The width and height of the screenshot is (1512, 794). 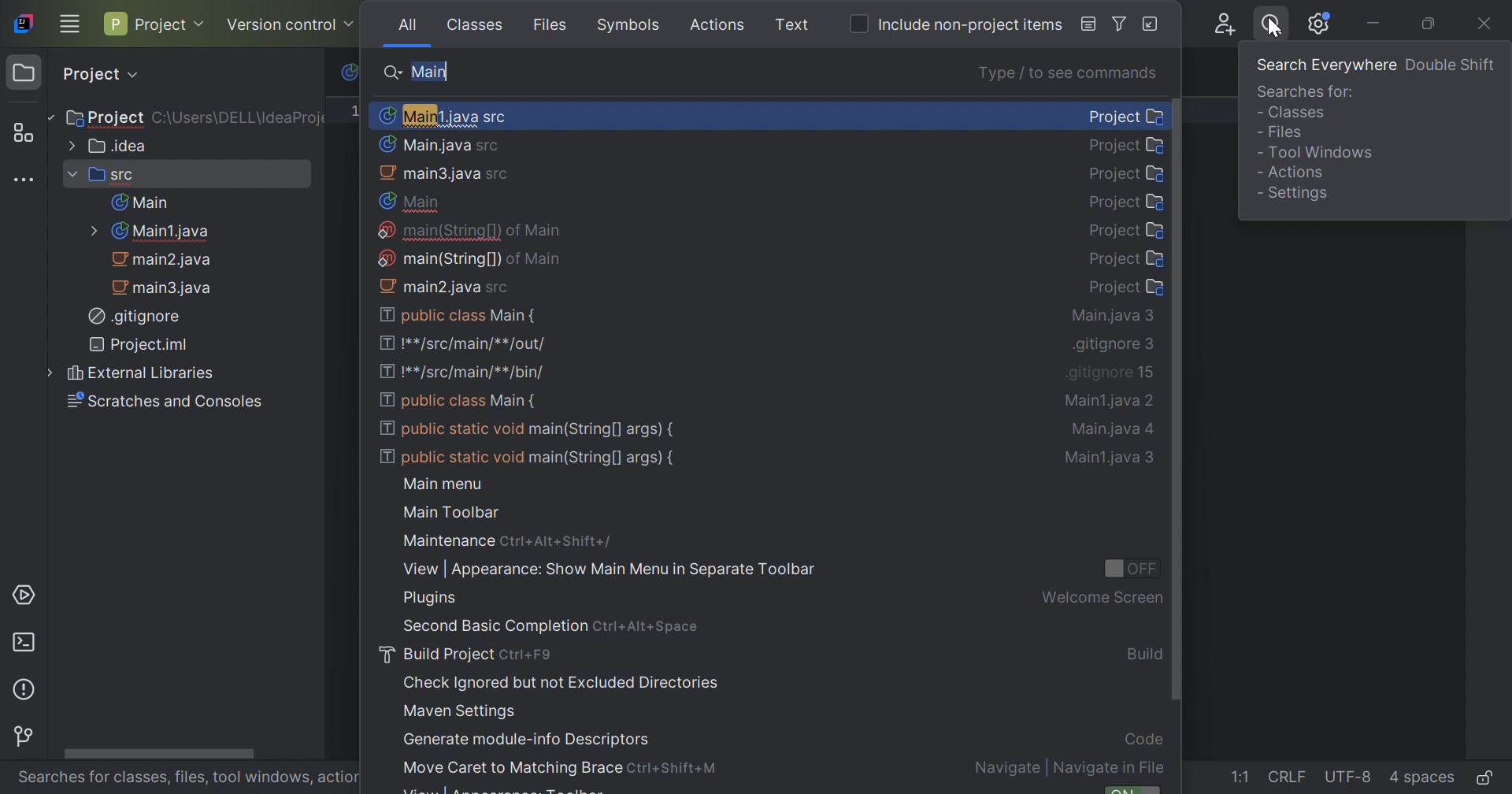 I want to click on - Files, so click(x=1281, y=137).